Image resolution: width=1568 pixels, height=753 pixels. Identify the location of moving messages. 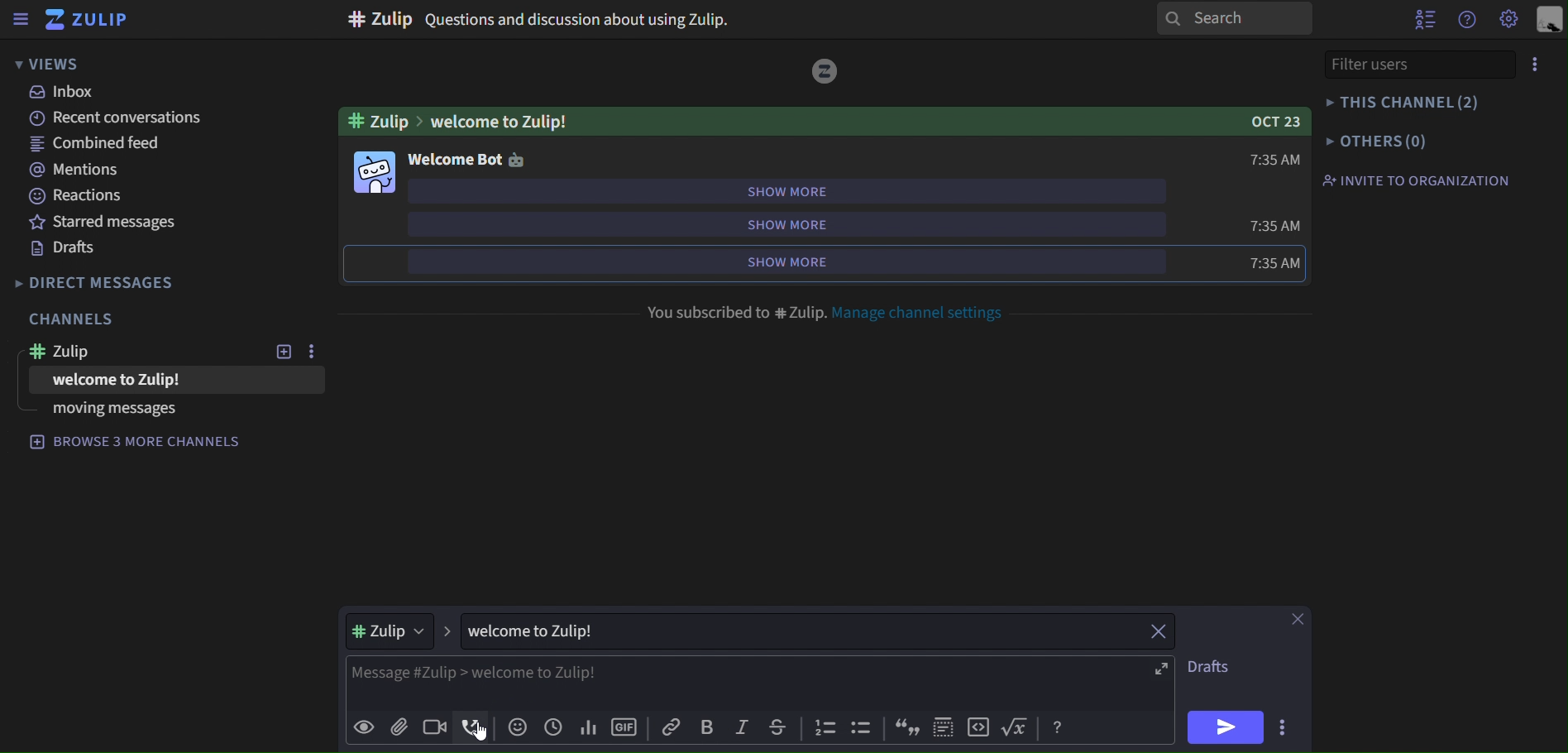
(112, 410).